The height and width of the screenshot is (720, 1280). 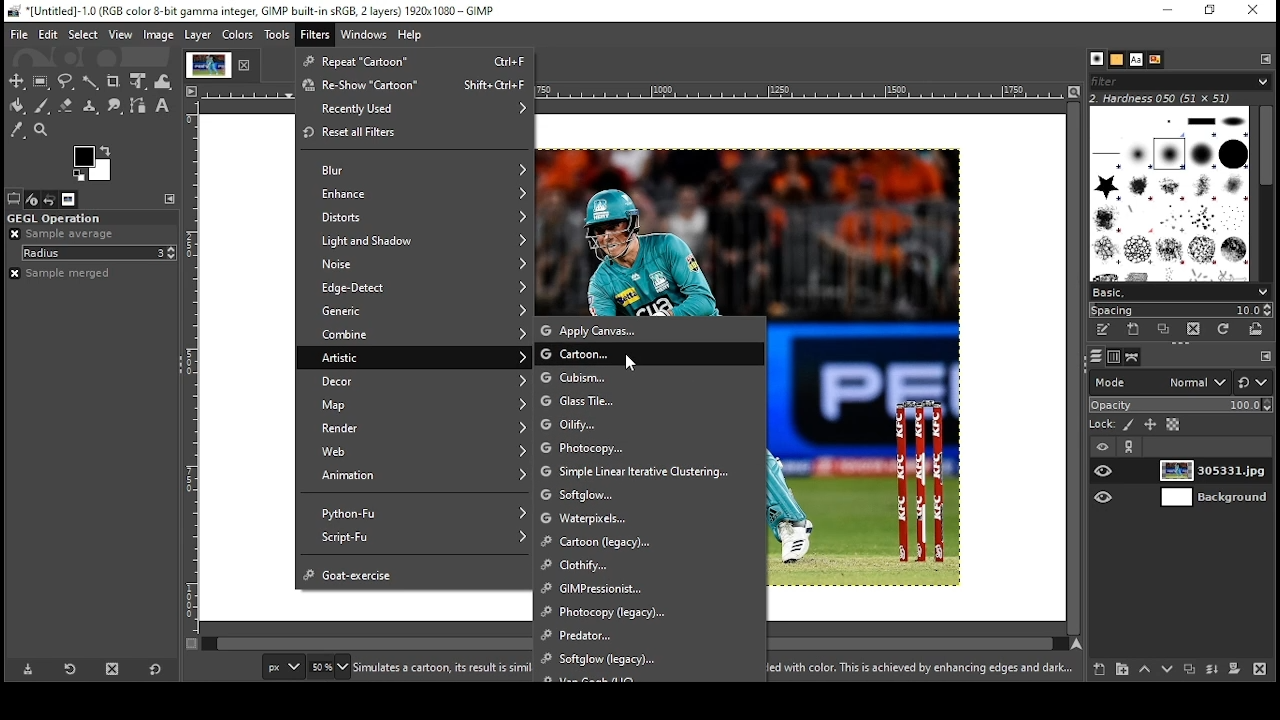 What do you see at coordinates (1150, 425) in the screenshot?
I see `lock position and size` at bounding box center [1150, 425].